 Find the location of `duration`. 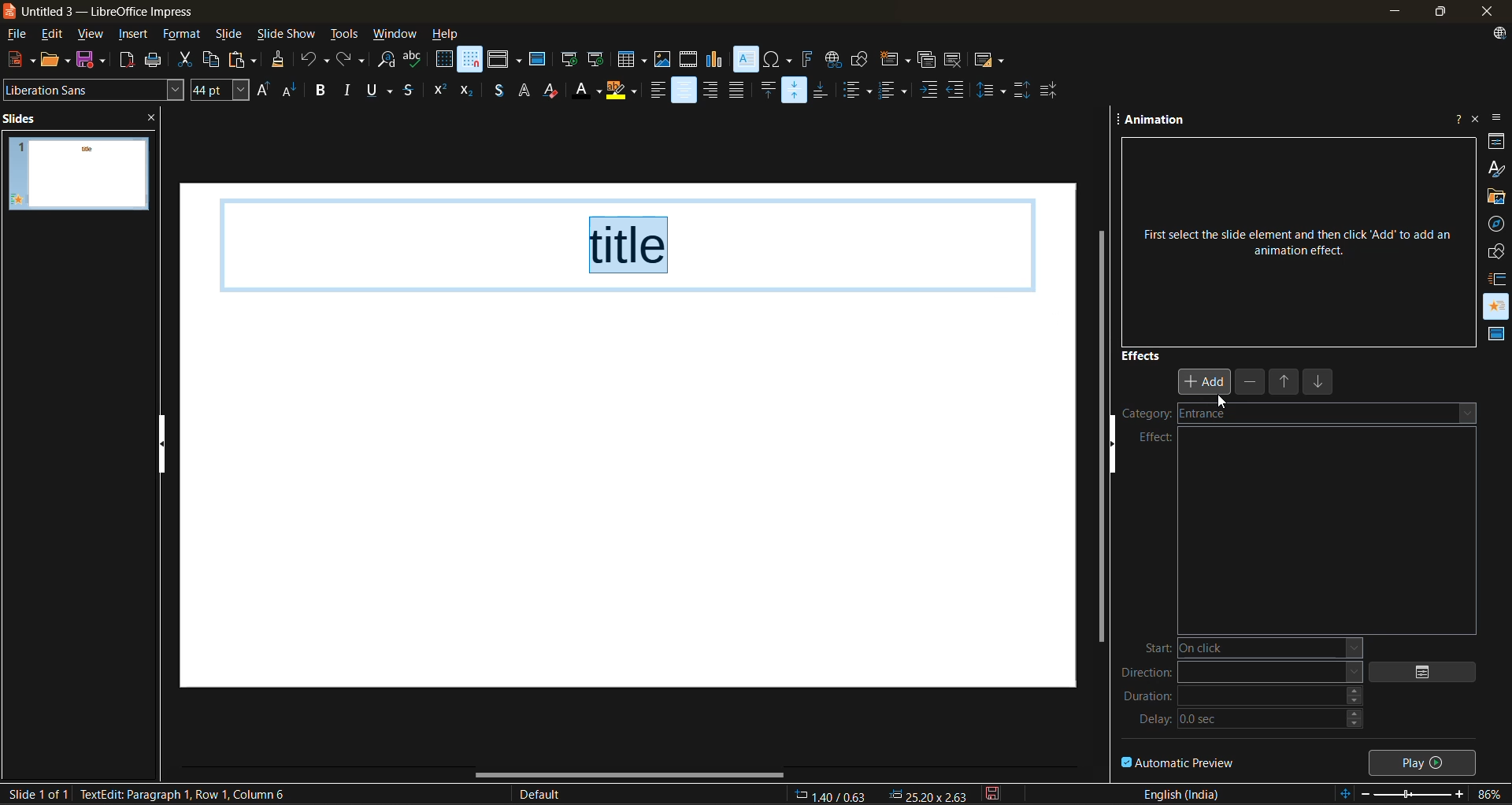

duration is located at coordinates (1243, 701).